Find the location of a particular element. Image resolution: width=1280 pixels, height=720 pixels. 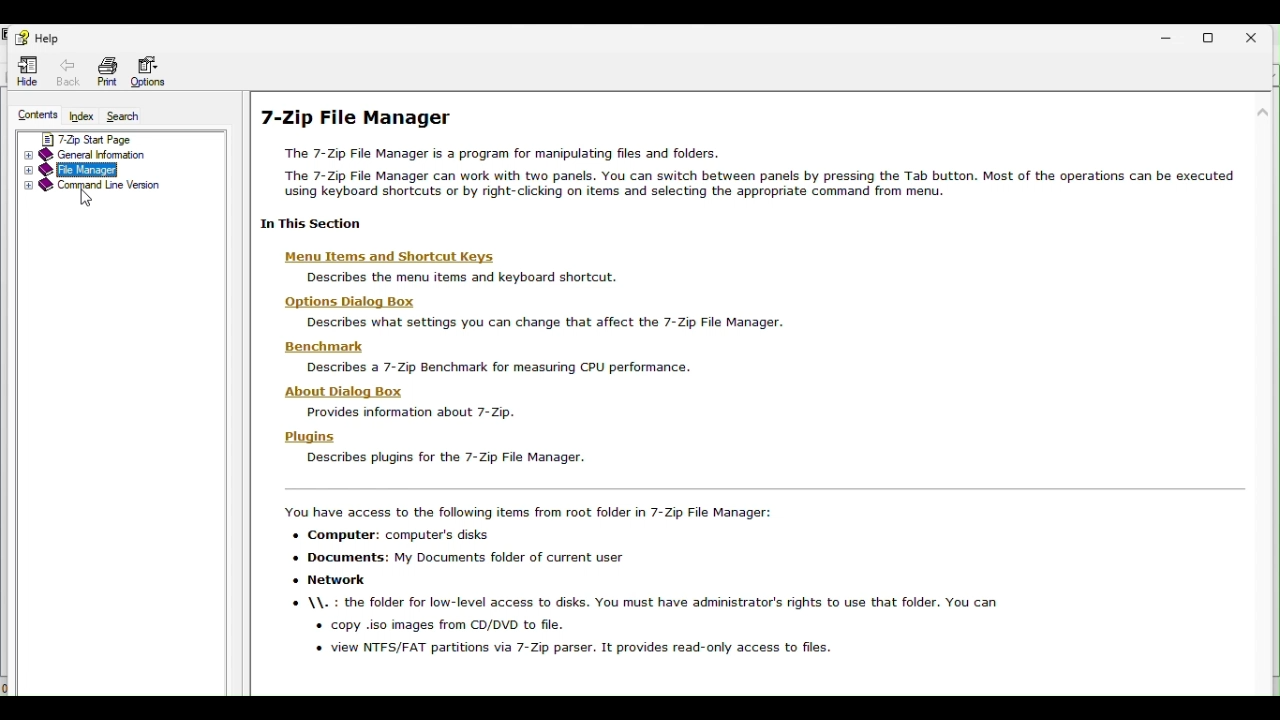

Cursor is located at coordinates (84, 199).